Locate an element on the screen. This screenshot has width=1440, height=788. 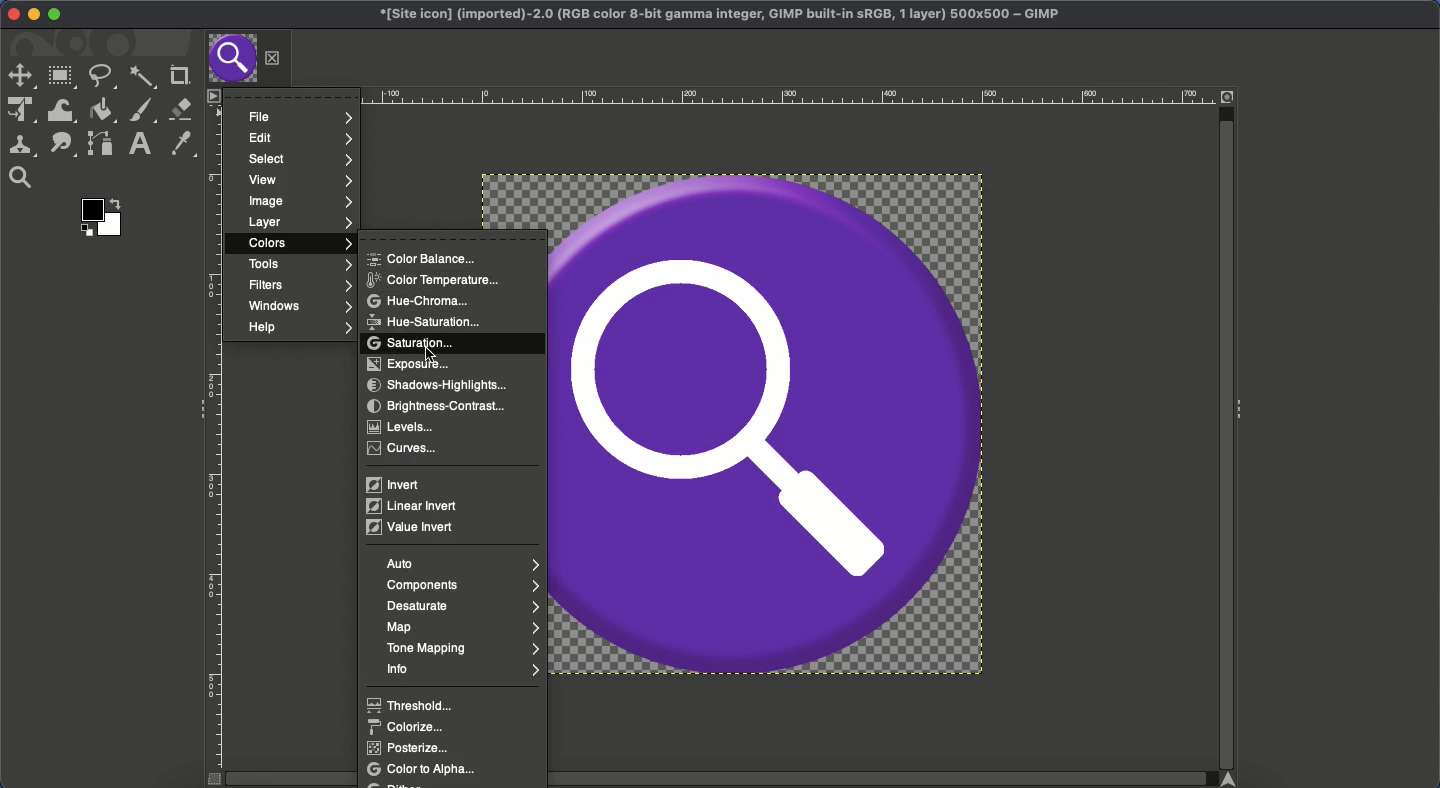
Maximize is located at coordinates (58, 15).